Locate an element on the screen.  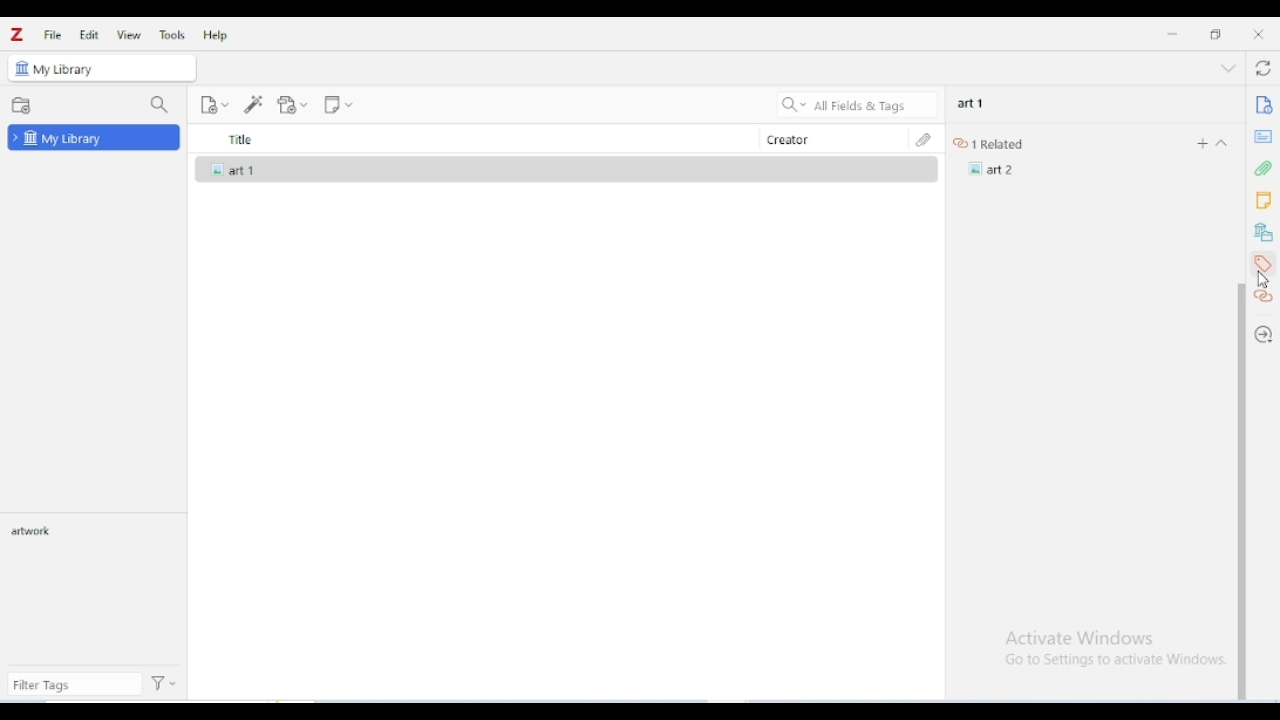
libraries and collections is located at coordinates (1264, 233).